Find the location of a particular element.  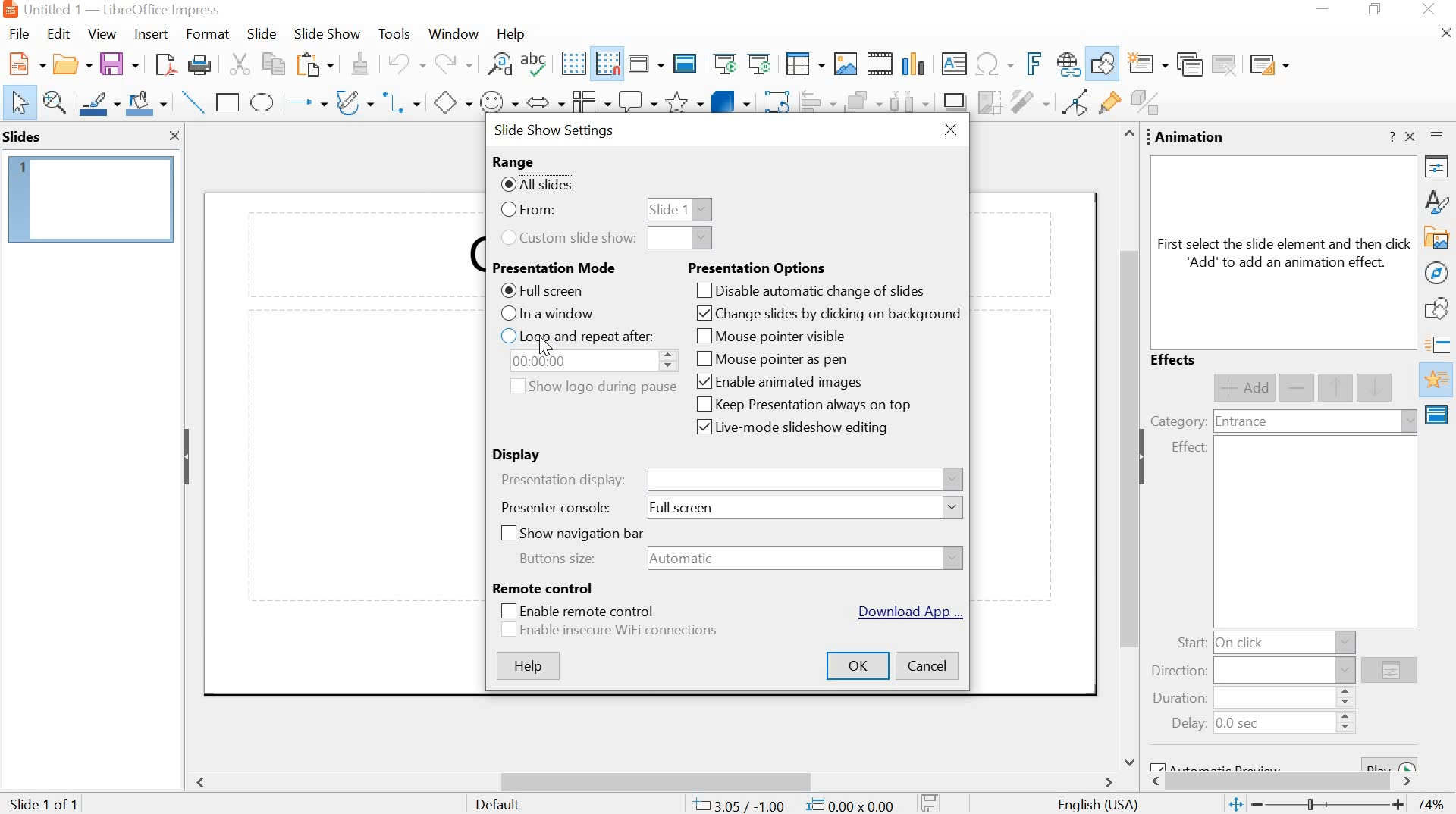

scroll bar is located at coordinates (1125, 447).